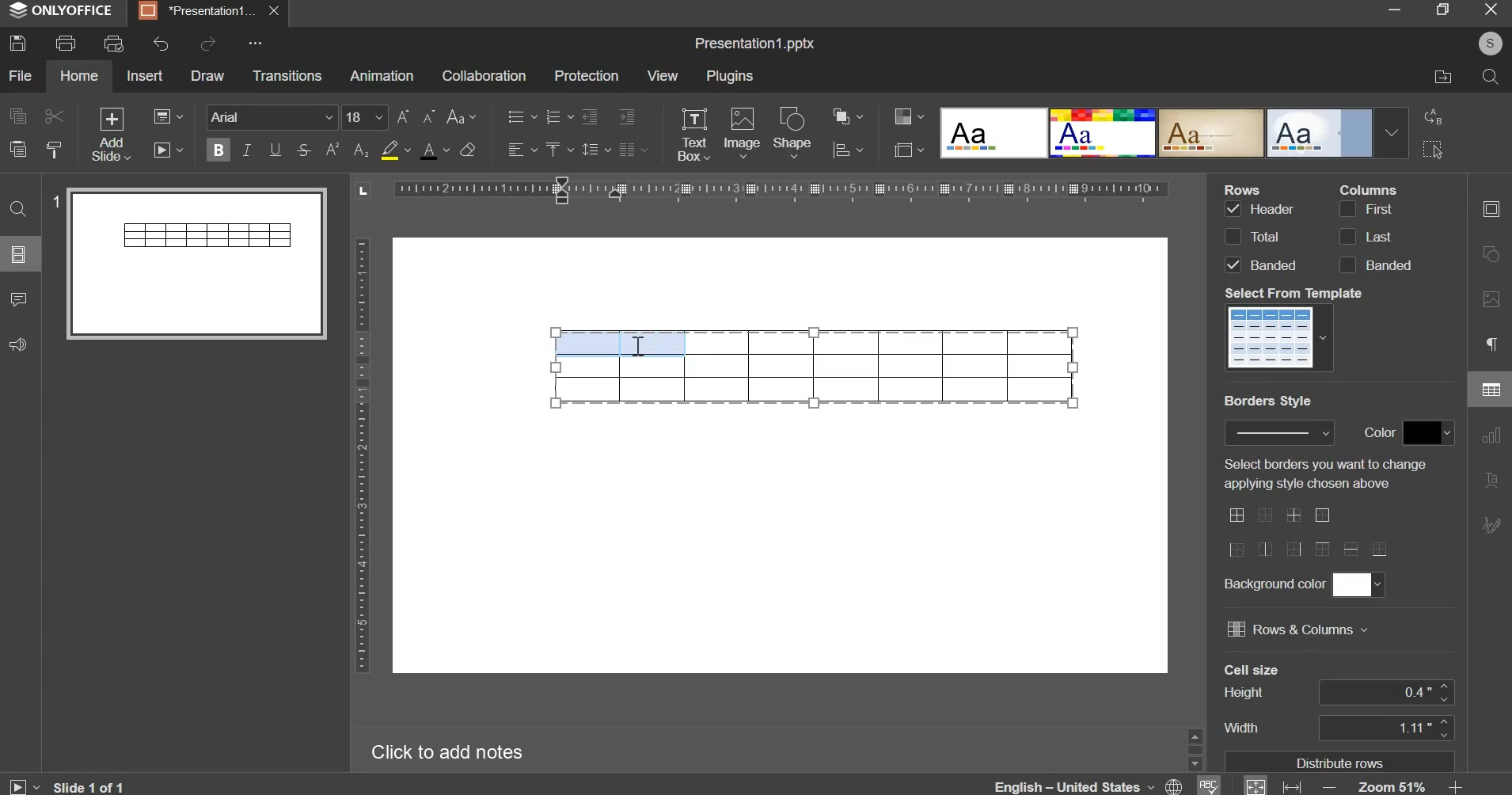 The height and width of the screenshot is (795, 1512). Describe the element at coordinates (1343, 762) in the screenshot. I see `Distribute rows` at that location.